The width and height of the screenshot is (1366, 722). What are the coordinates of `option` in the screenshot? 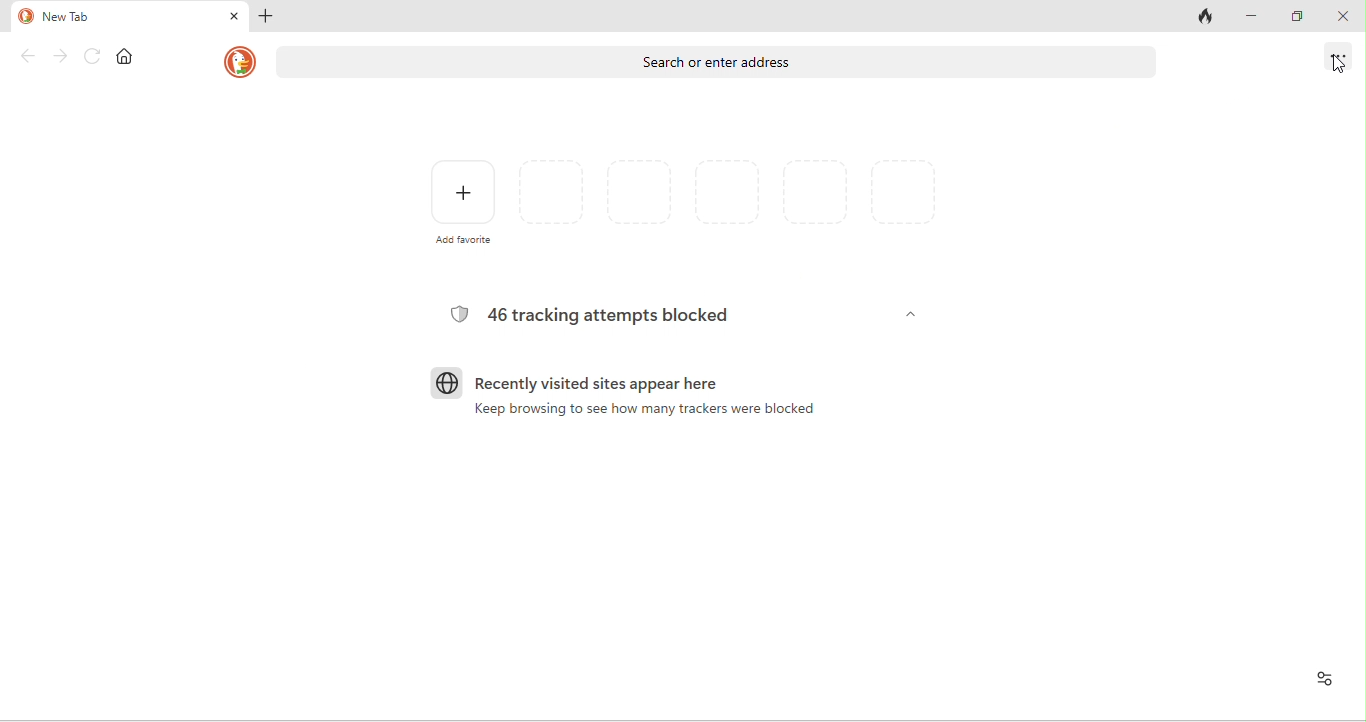 It's located at (1339, 62).